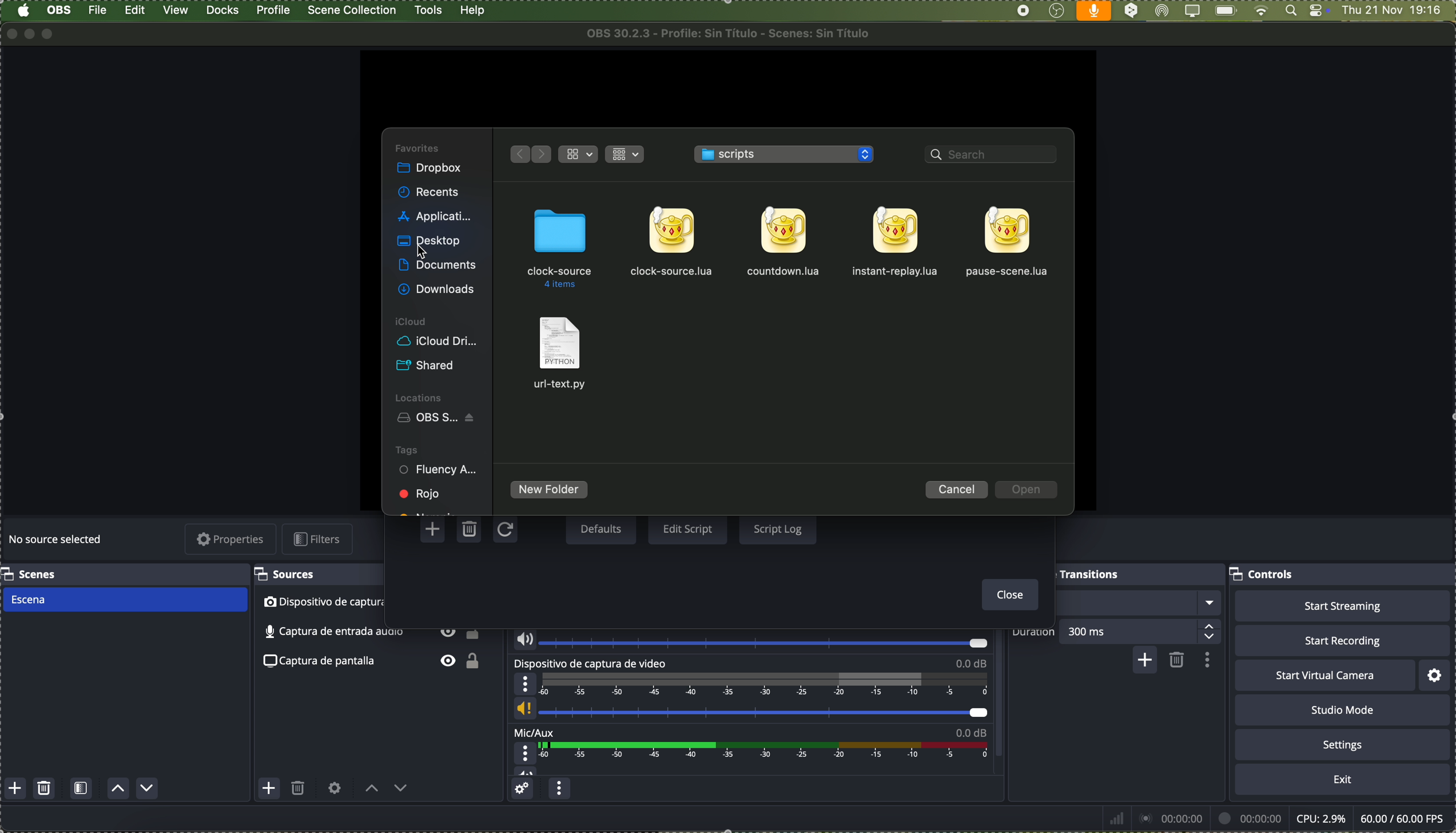  I want to click on maximize program, so click(51, 34).